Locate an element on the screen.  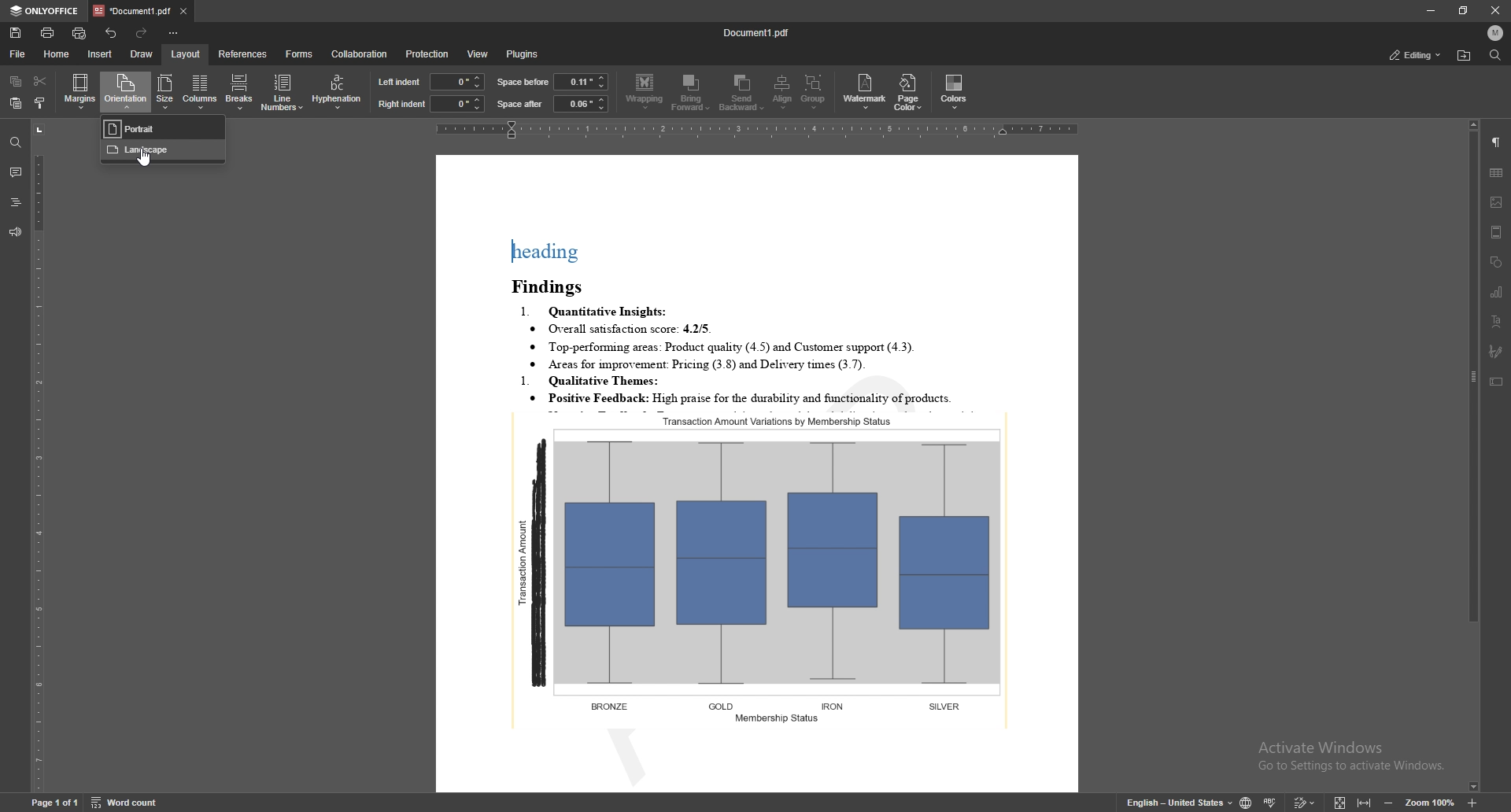
horizontal scale is located at coordinates (756, 130).